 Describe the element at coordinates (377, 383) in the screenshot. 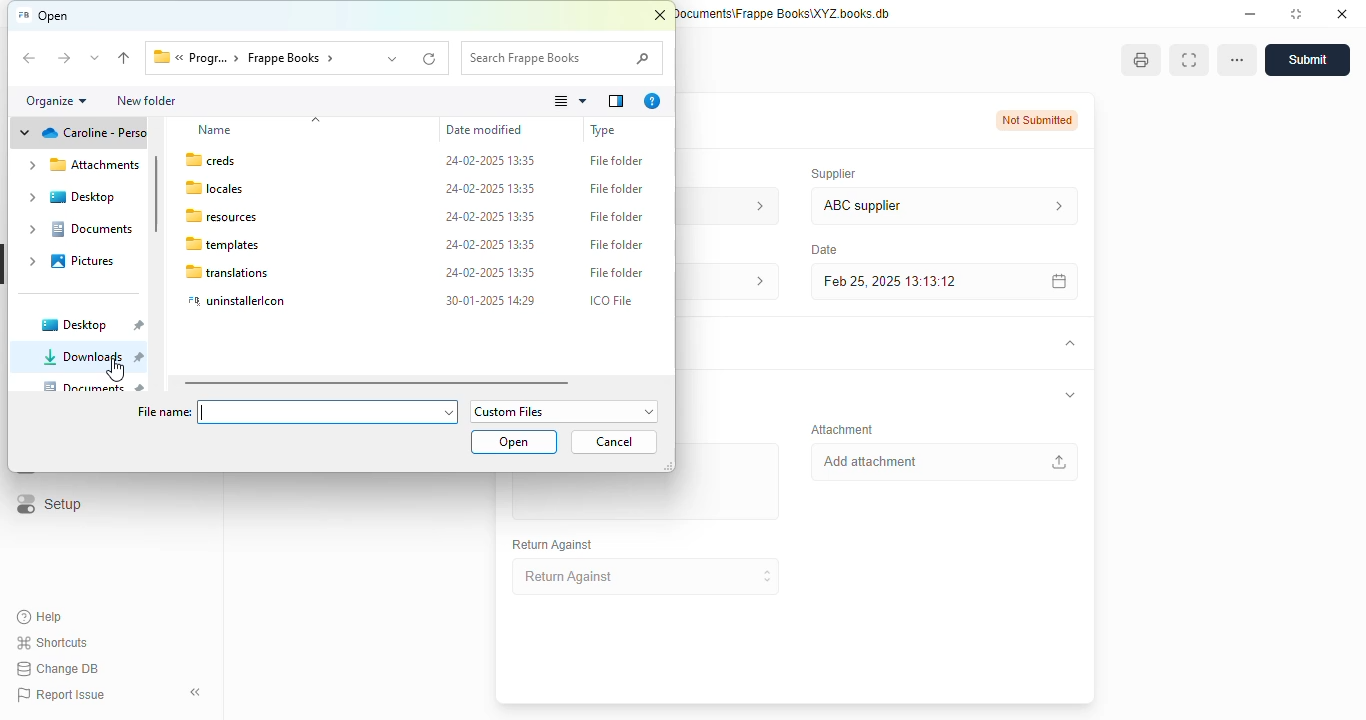

I see `scroll bar` at that location.